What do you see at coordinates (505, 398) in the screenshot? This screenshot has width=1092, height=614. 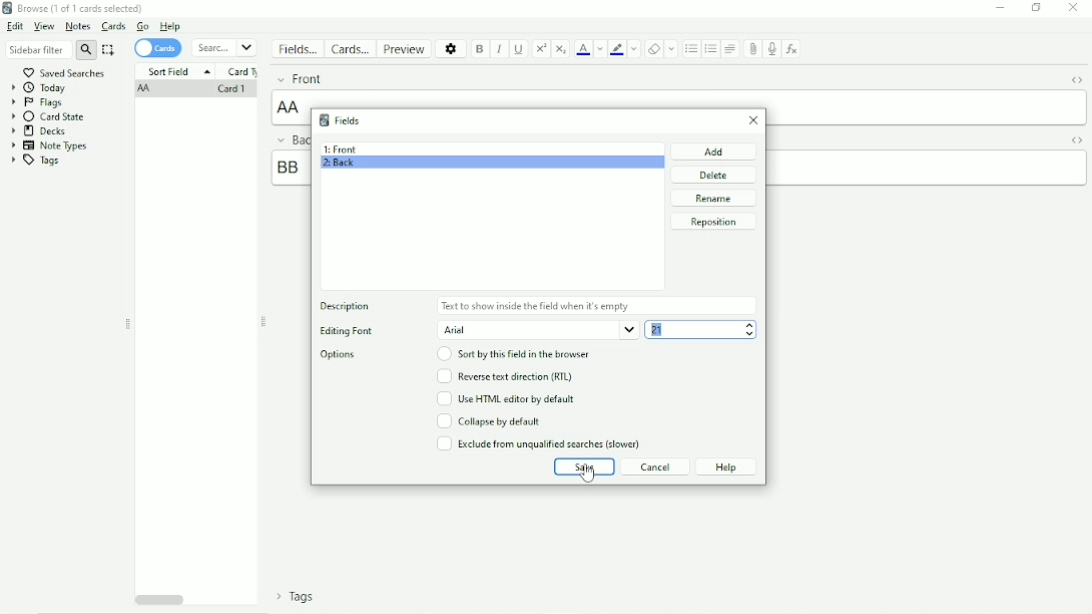 I see `Use HTML editor by default` at bounding box center [505, 398].